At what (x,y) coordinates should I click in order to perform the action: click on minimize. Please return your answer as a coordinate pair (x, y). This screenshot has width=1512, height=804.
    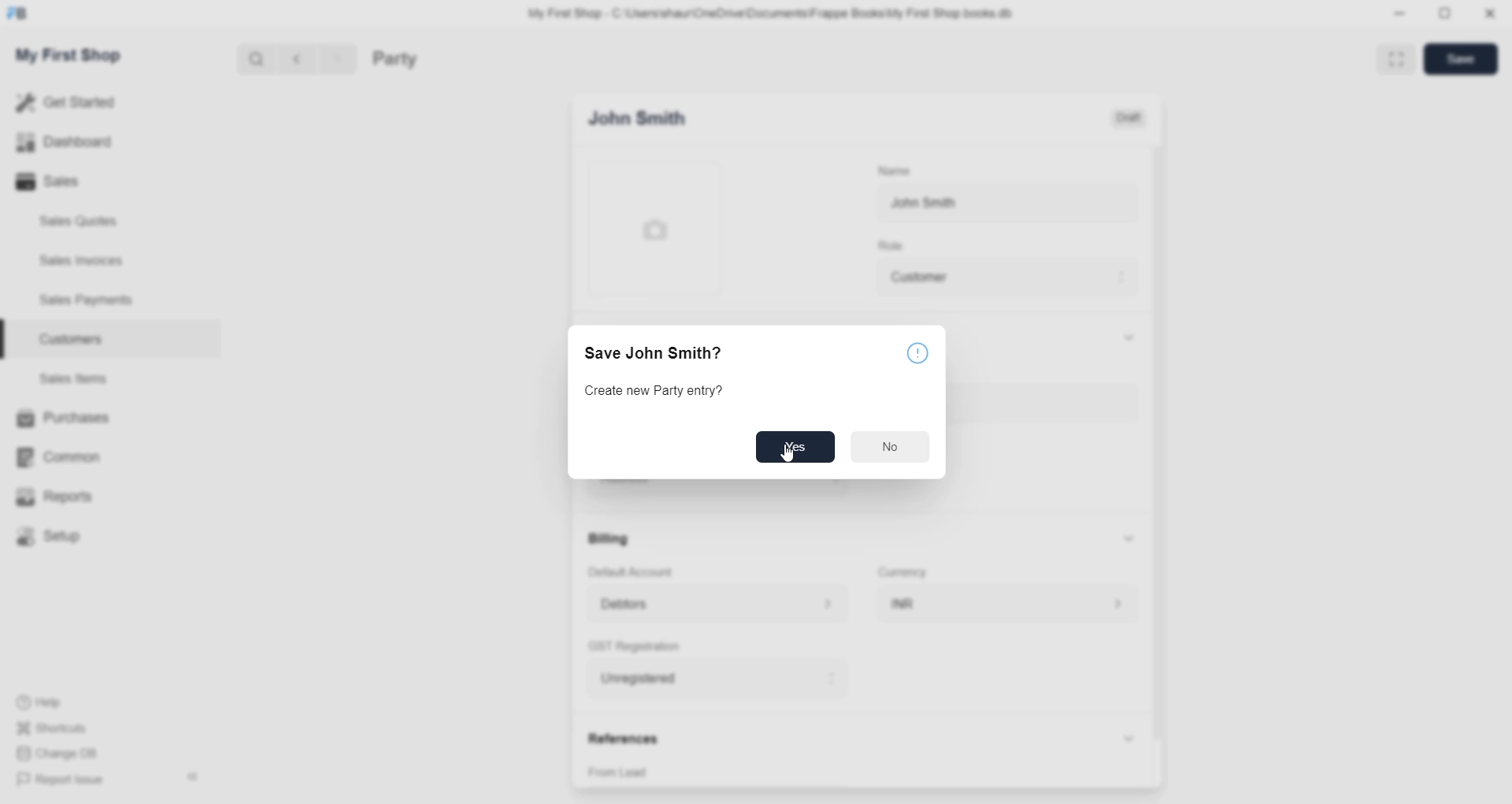
    Looking at the image, I should click on (1406, 20).